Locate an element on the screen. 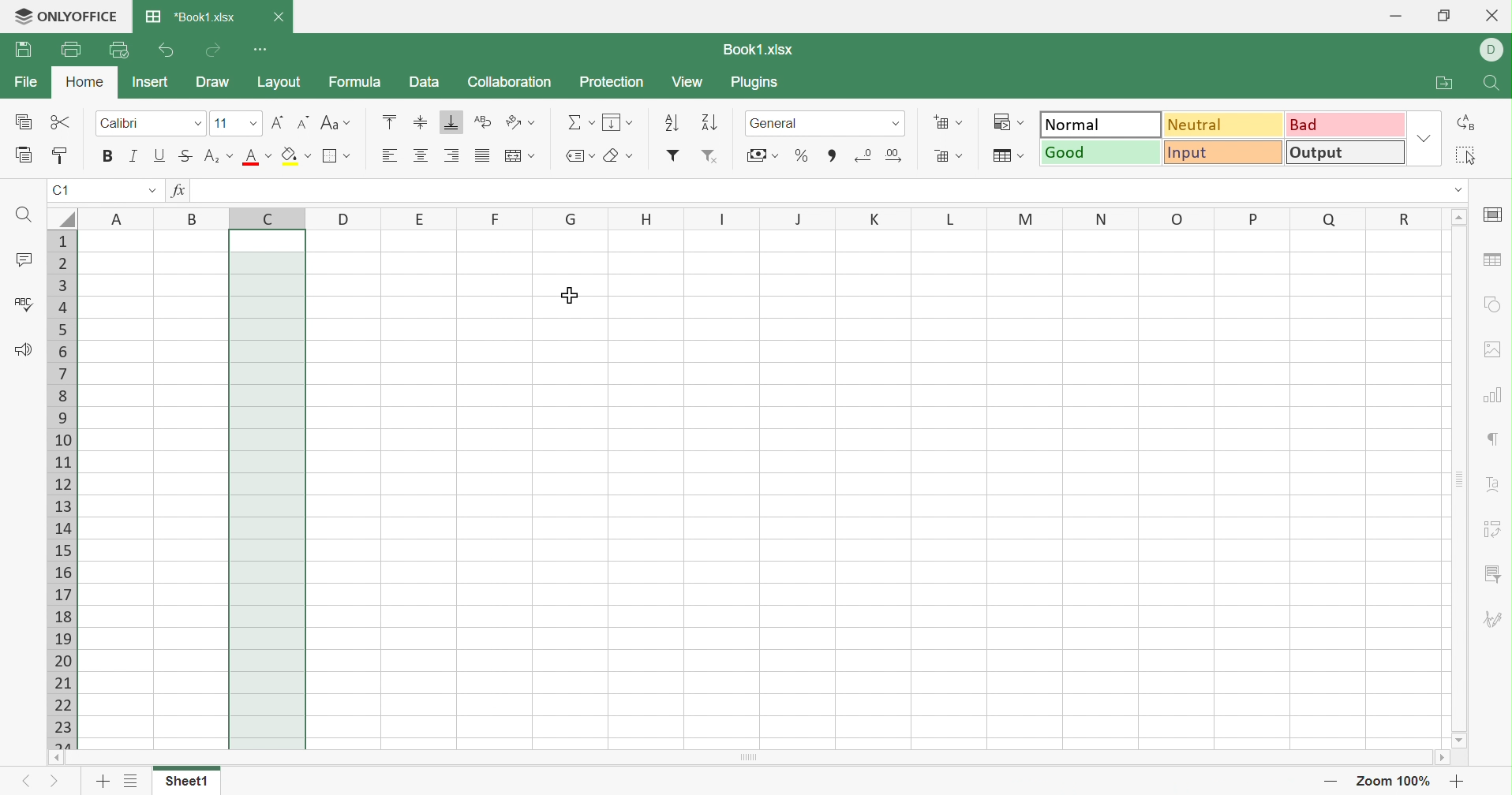 The image size is (1512, 795). Cursor is located at coordinates (570, 293).